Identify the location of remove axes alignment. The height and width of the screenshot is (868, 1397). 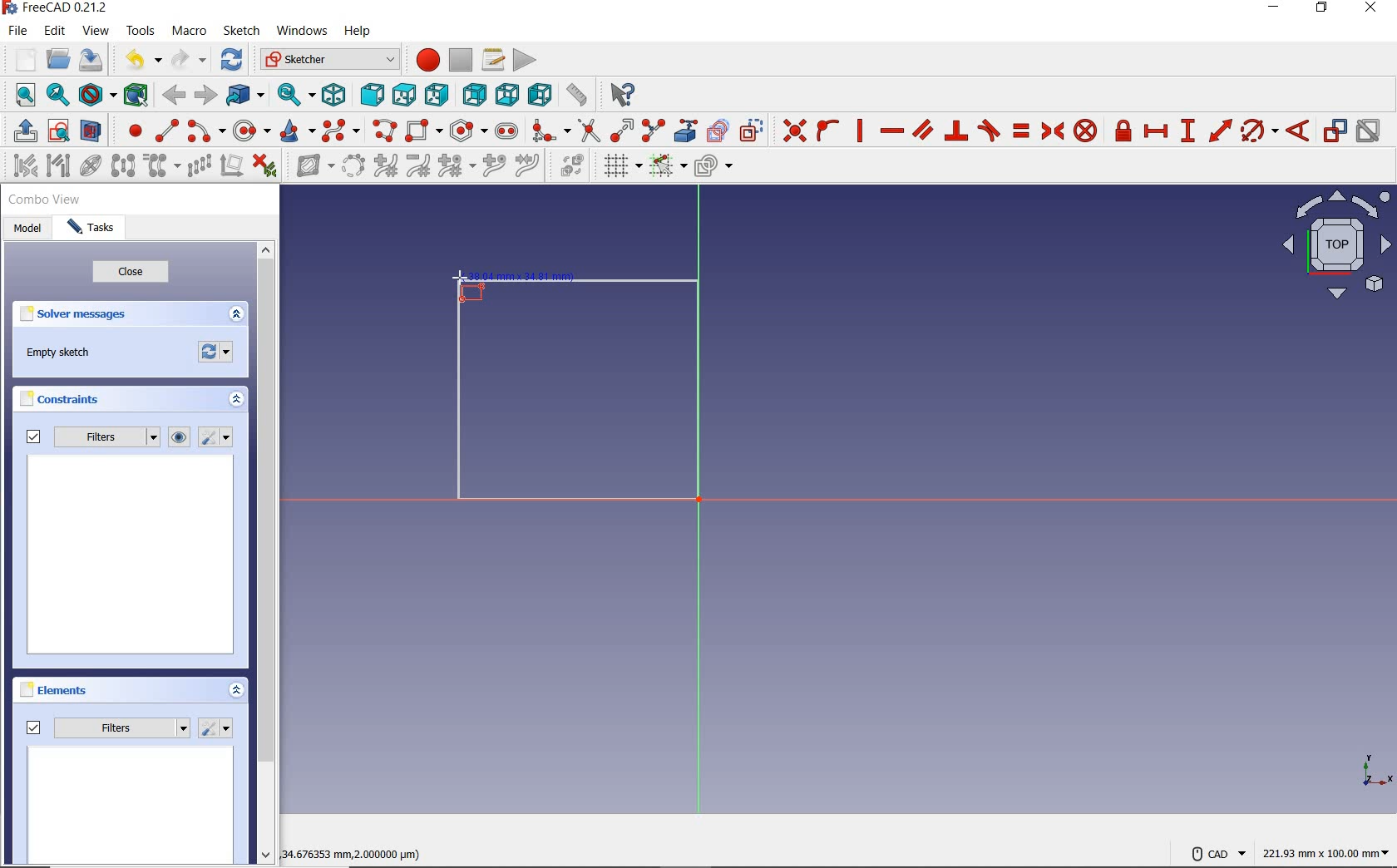
(231, 166).